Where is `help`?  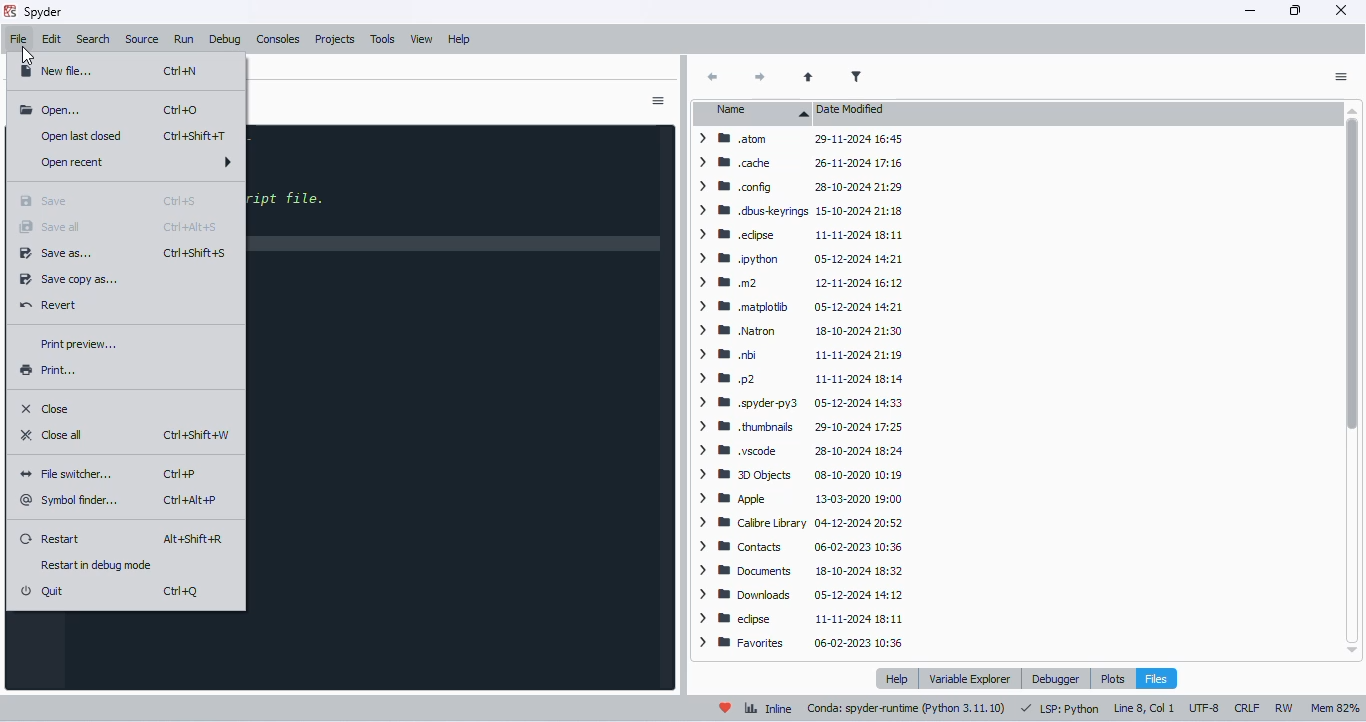
help is located at coordinates (898, 678).